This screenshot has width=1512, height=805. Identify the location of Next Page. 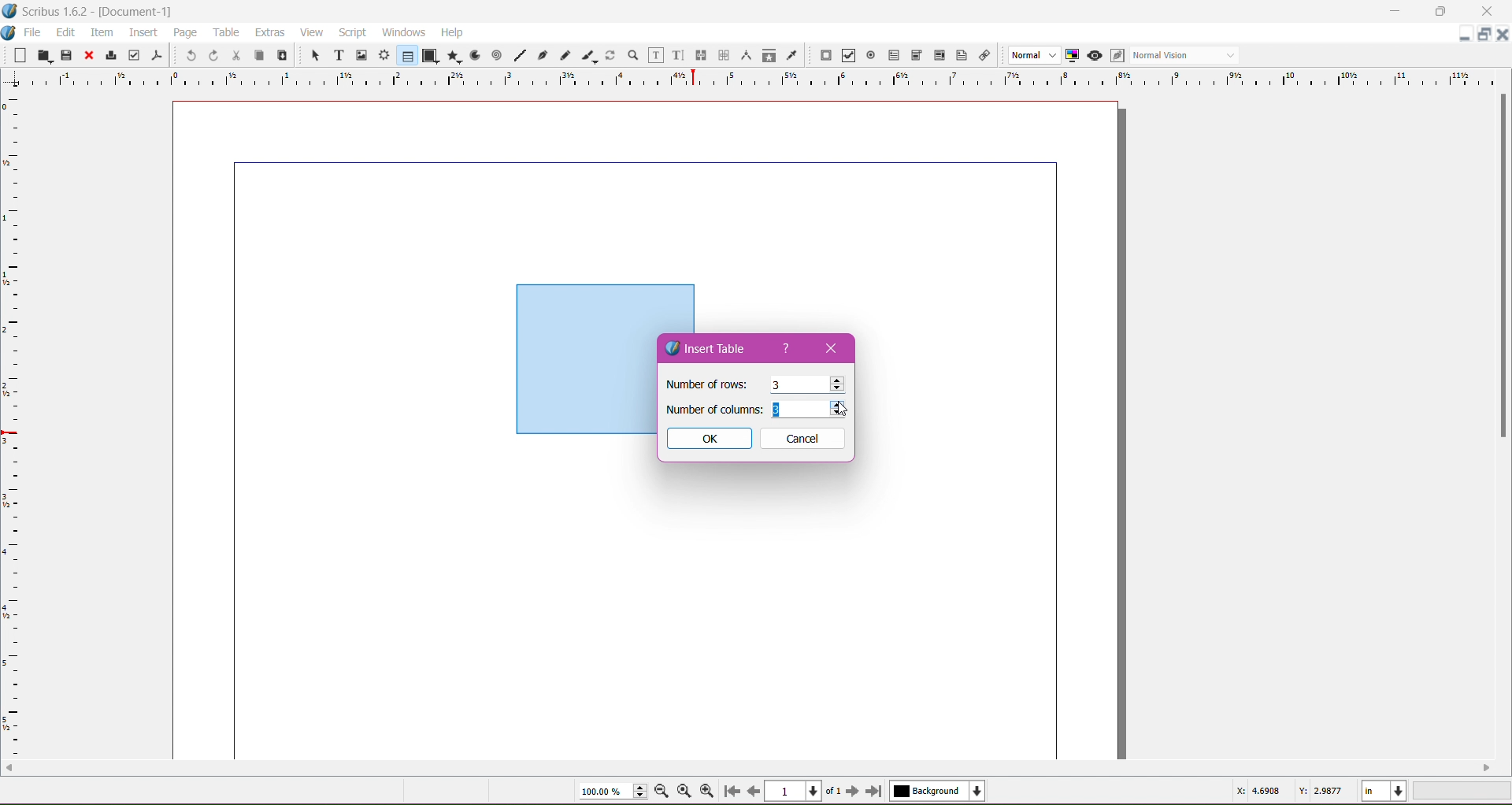
(854, 790).